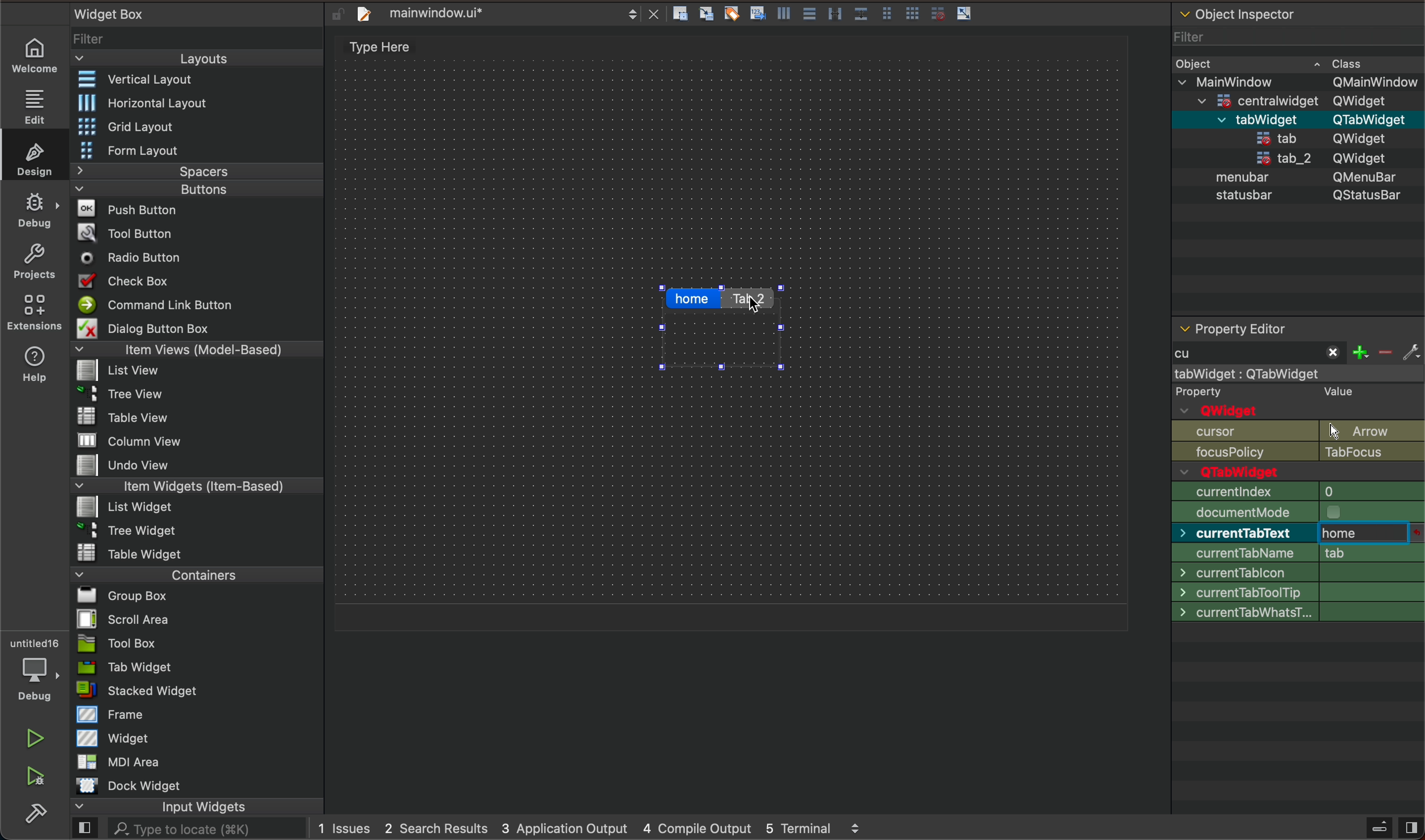  What do you see at coordinates (37, 310) in the screenshot?
I see `extensions` at bounding box center [37, 310].